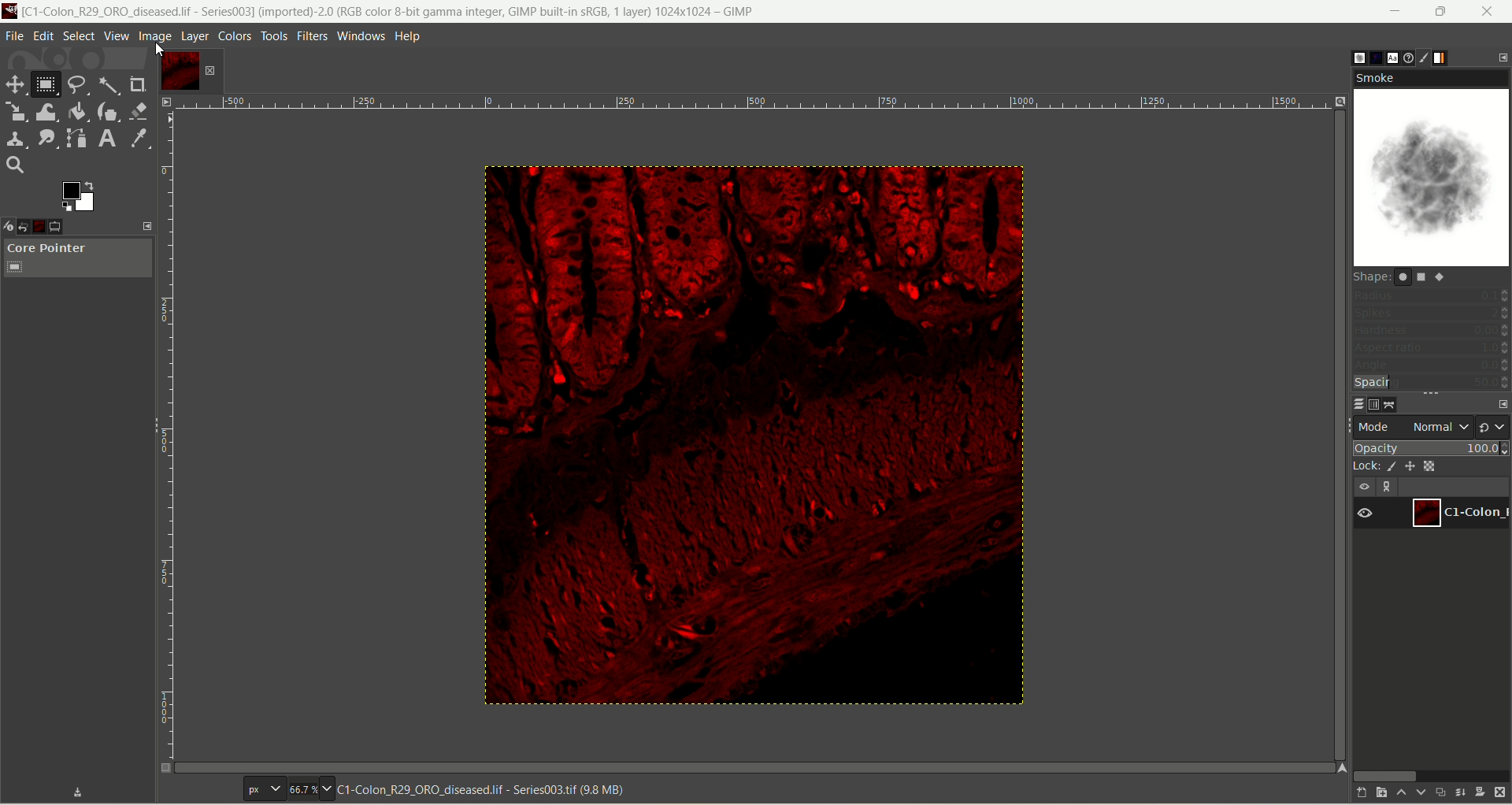 This screenshot has width=1512, height=805. What do you see at coordinates (1432, 165) in the screenshot?
I see `smoke` at bounding box center [1432, 165].